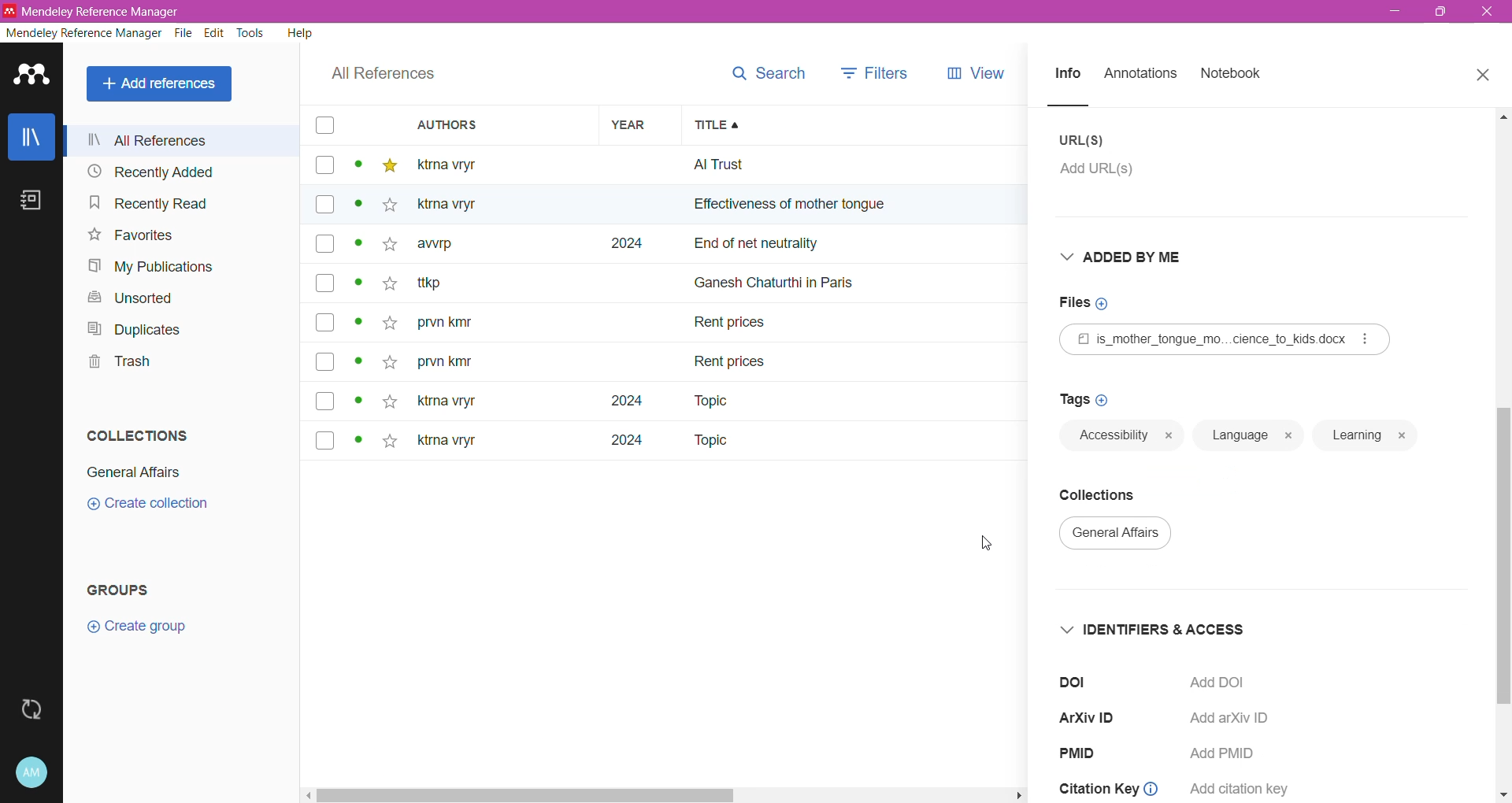 This screenshot has width=1512, height=803. Describe the element at coordinates (388, 358) in the screenshot. I see `star` at that location.